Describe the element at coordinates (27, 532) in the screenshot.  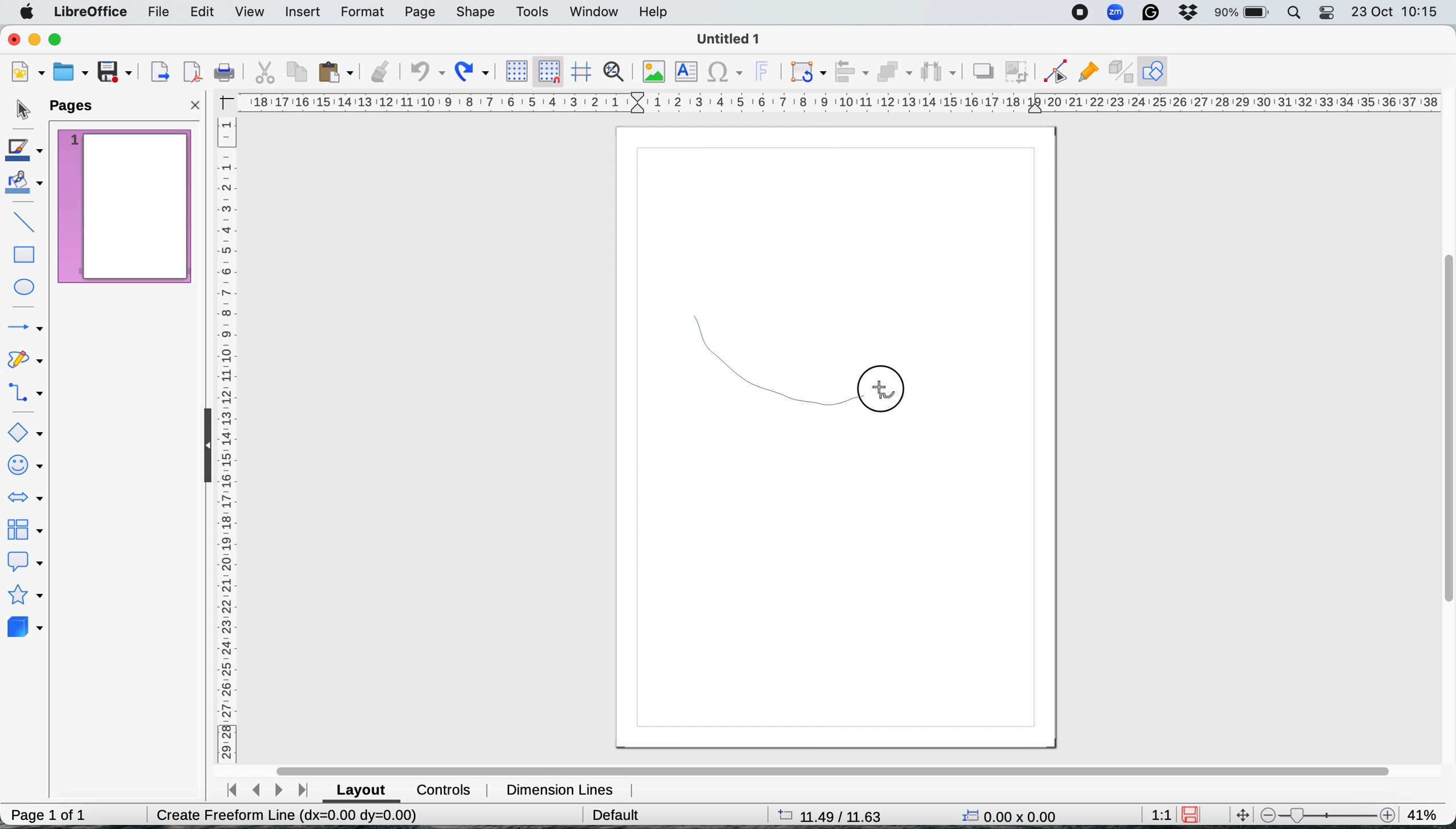
I see `flowchart` at that location.